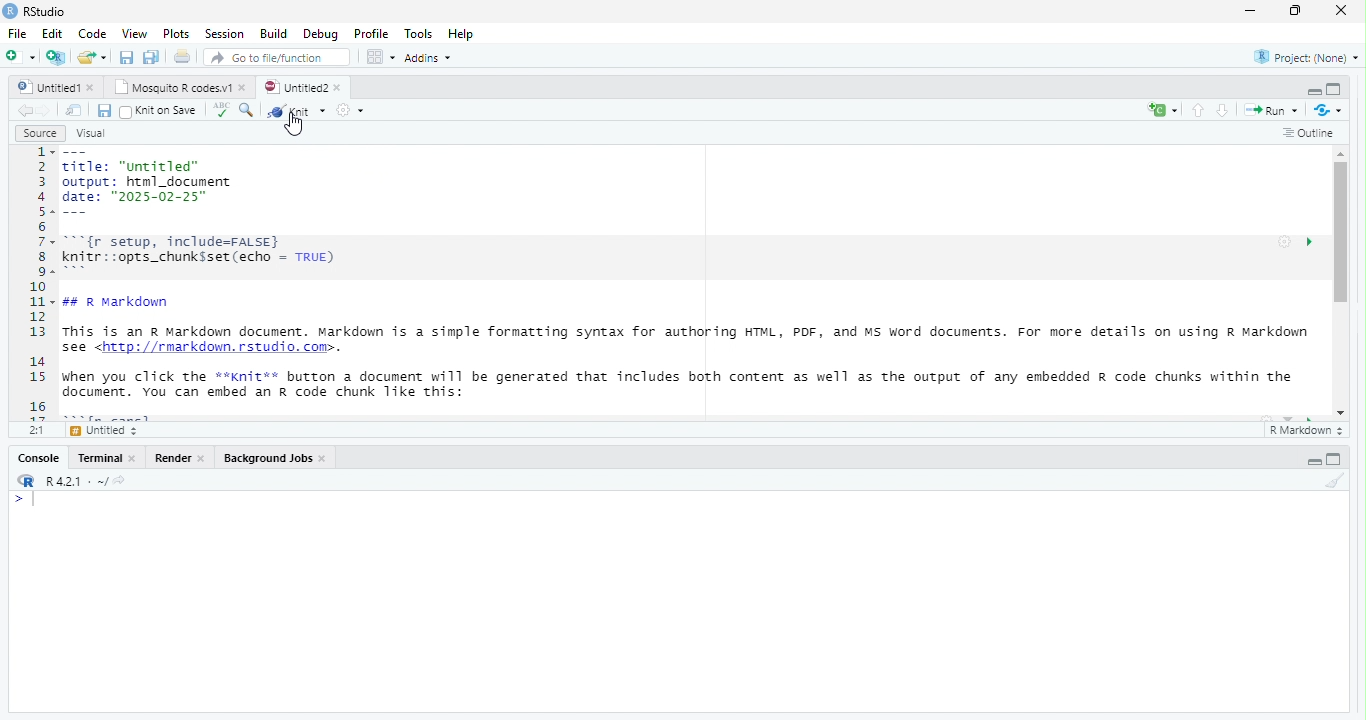  I want to click on close, so click(340, 88).